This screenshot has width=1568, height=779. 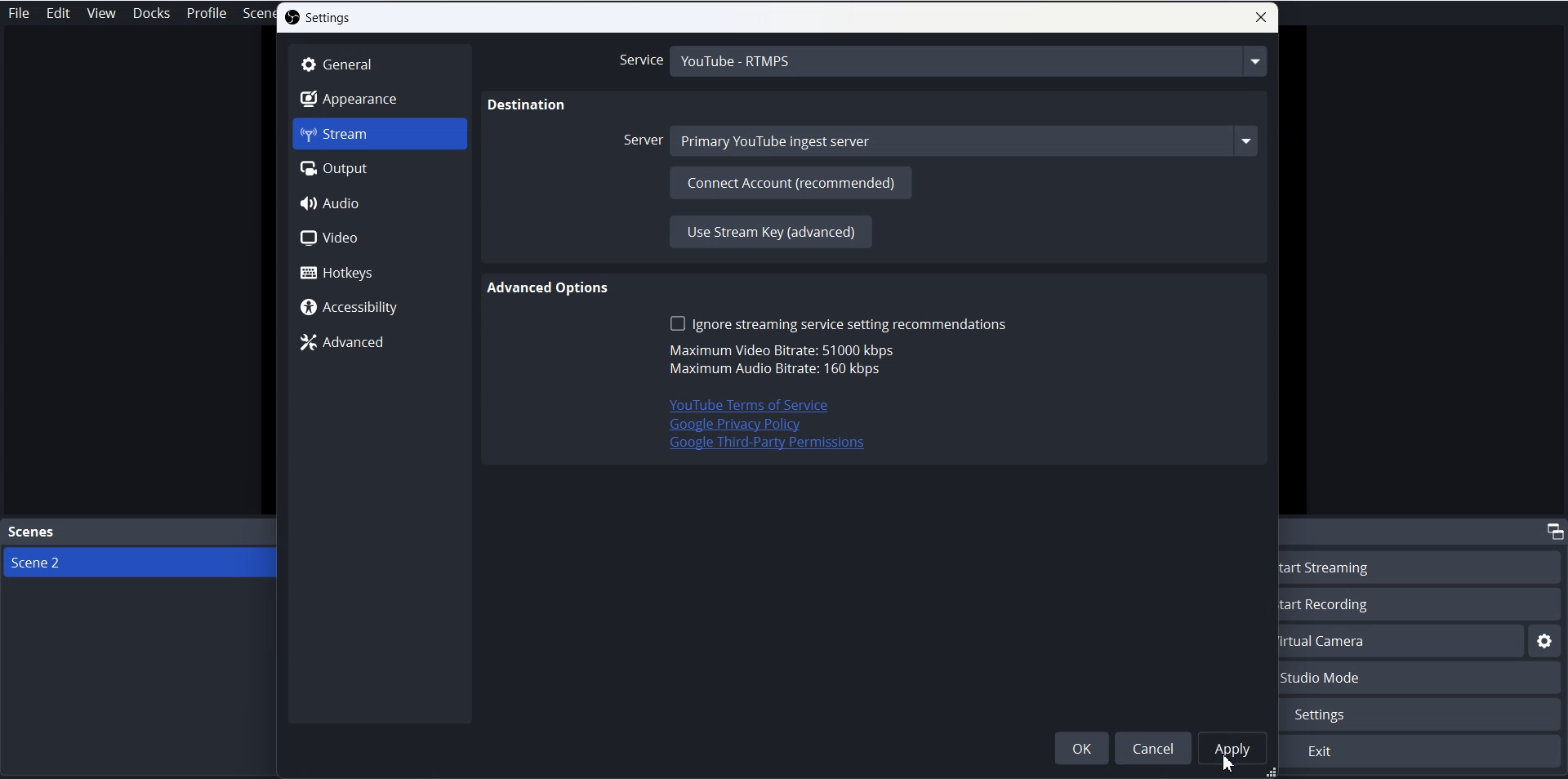 What do you see at coordinates (318, 17) in the screenshot?
I see `Settings` at bounding box center [318, 17].